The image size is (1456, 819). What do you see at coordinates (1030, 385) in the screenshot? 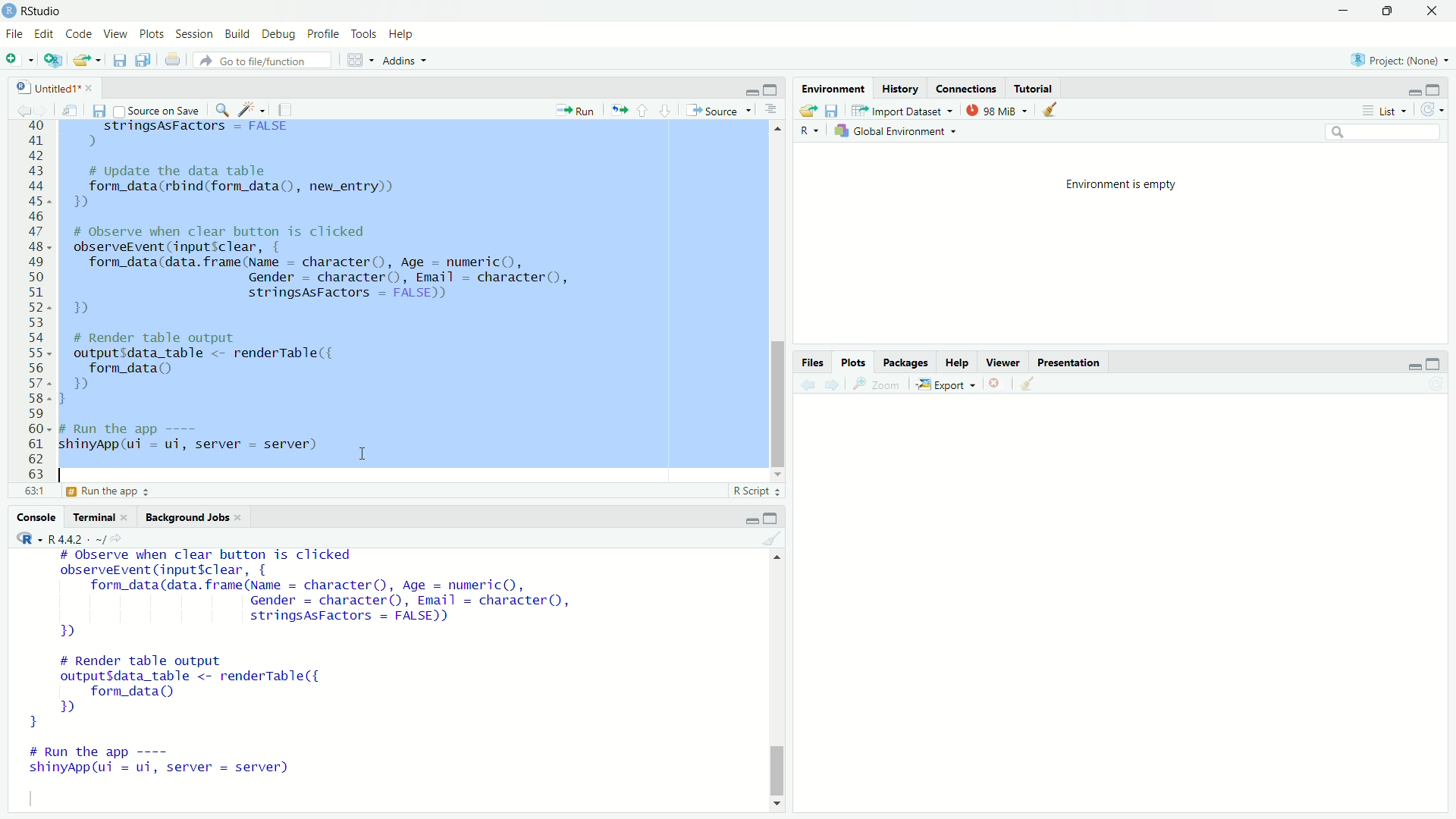
I see `clear all plots` at bounding box center [1030, 385].